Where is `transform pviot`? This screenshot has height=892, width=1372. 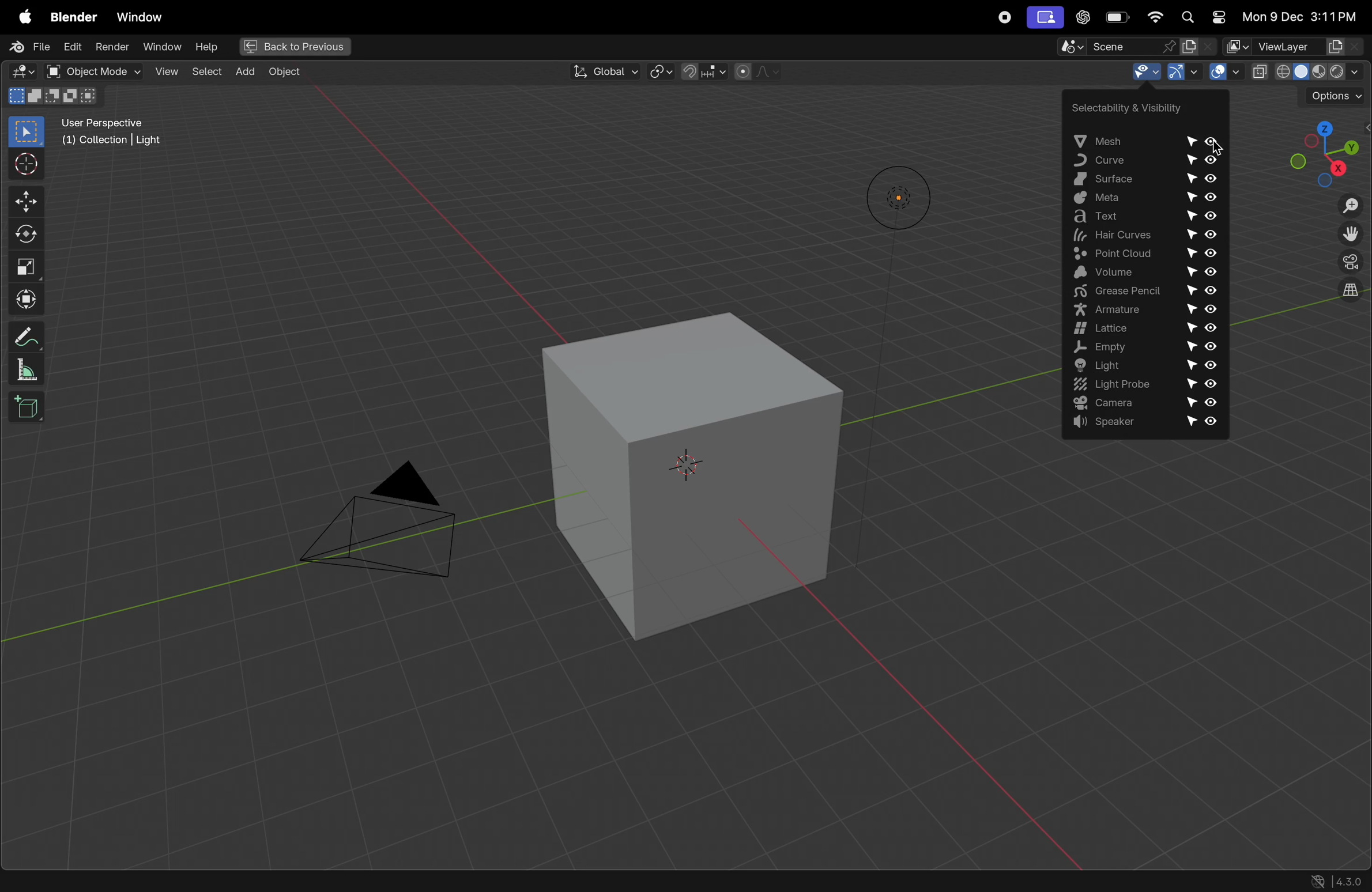 transform pviot is located at coordinates (661, 71).